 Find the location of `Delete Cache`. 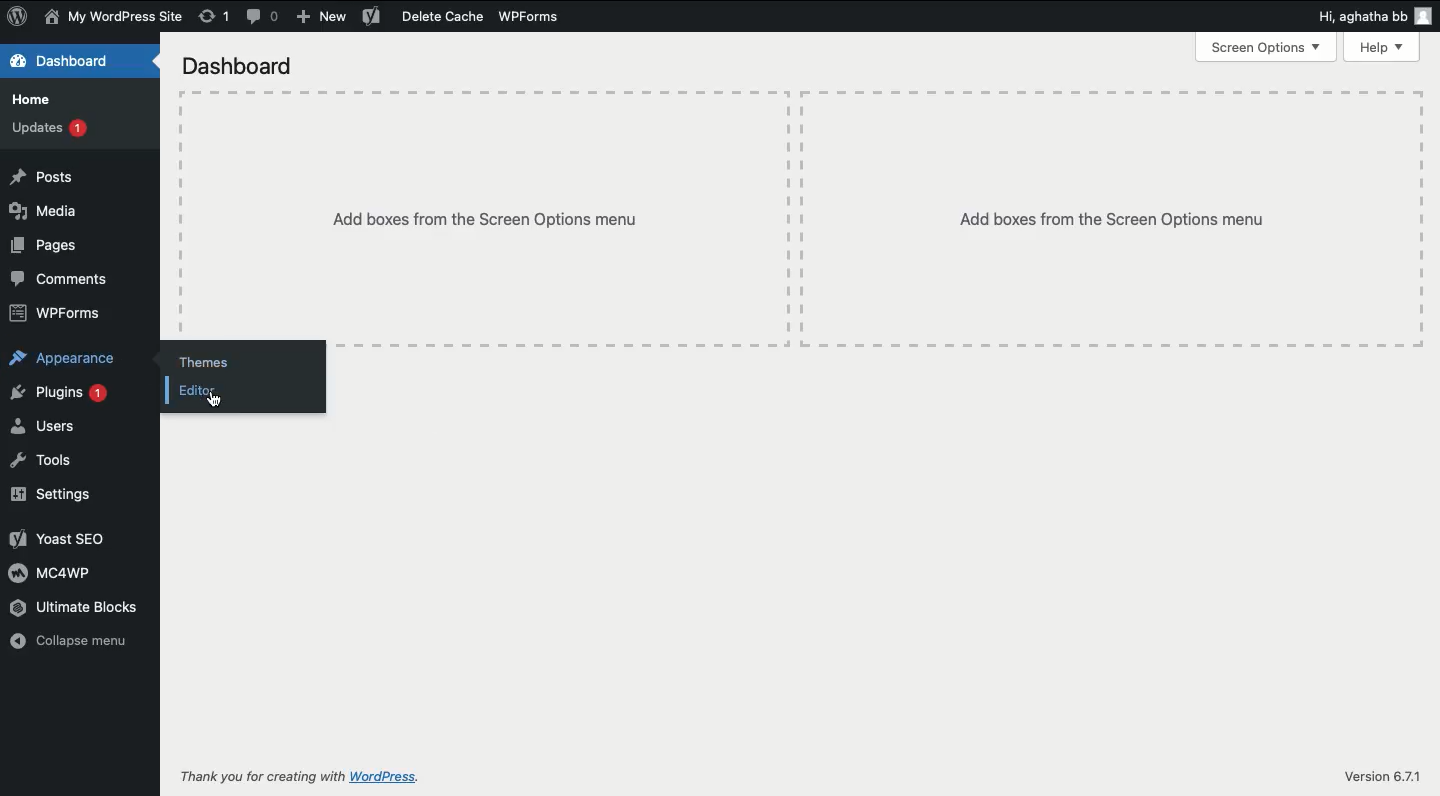

Delete Cache is located at coordinates (427, 17).